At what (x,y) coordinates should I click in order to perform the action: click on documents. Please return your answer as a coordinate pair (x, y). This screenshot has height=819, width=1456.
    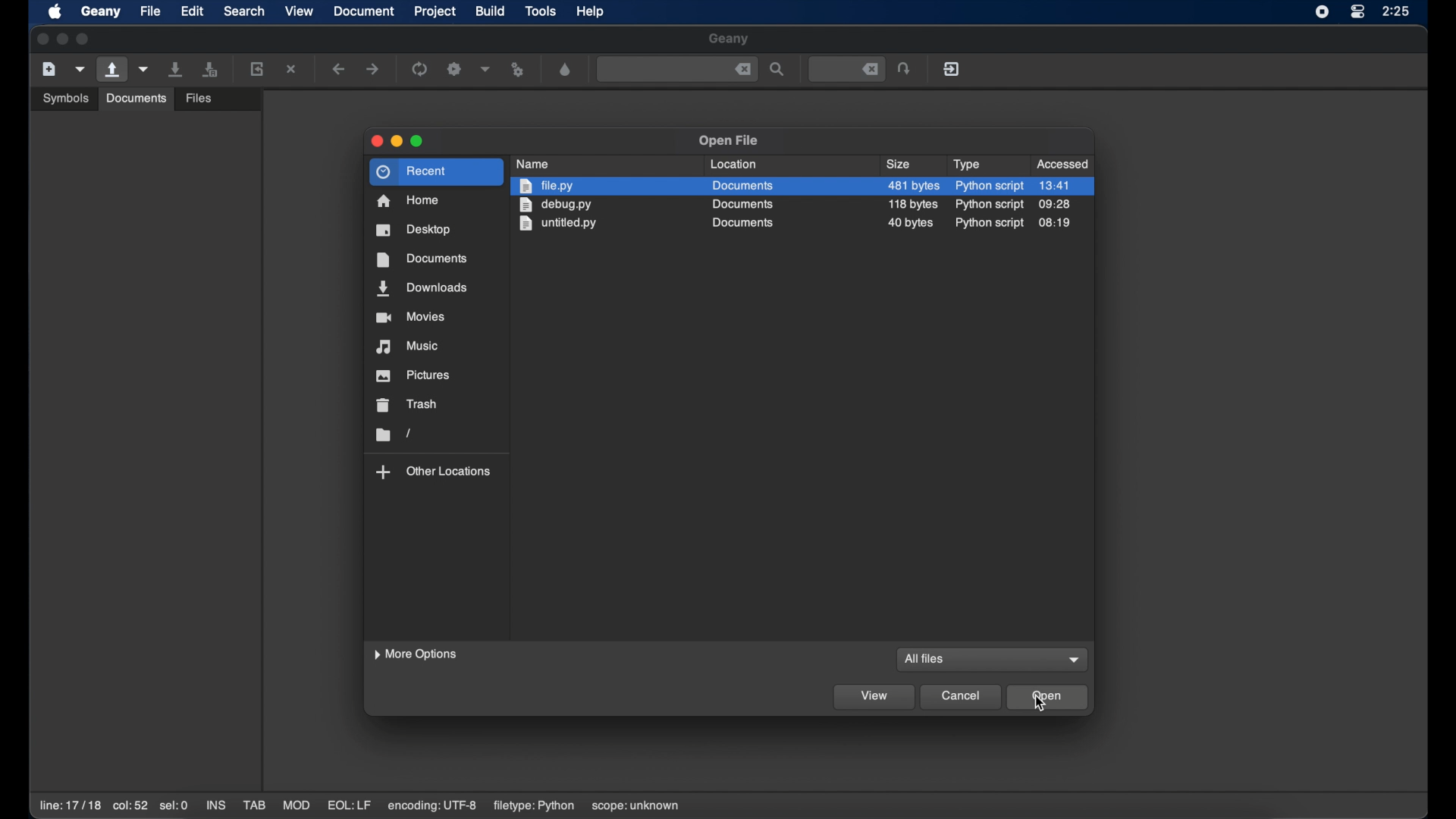
    Looking at the image, I should click on (422, 260).